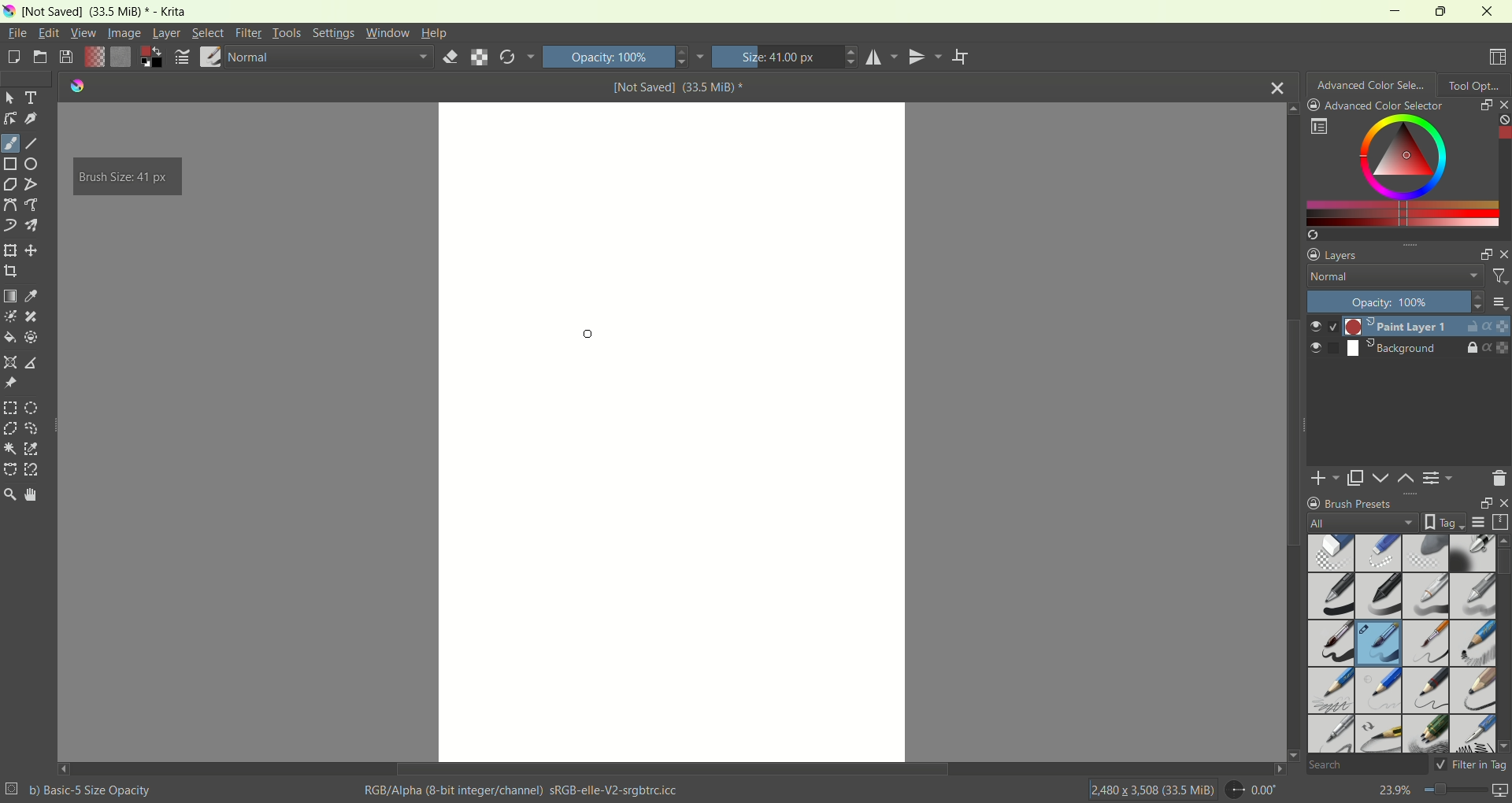 Image resolution: width=1512 pixels, height=803 pixels. I want to click on tools, so click(287, 33).